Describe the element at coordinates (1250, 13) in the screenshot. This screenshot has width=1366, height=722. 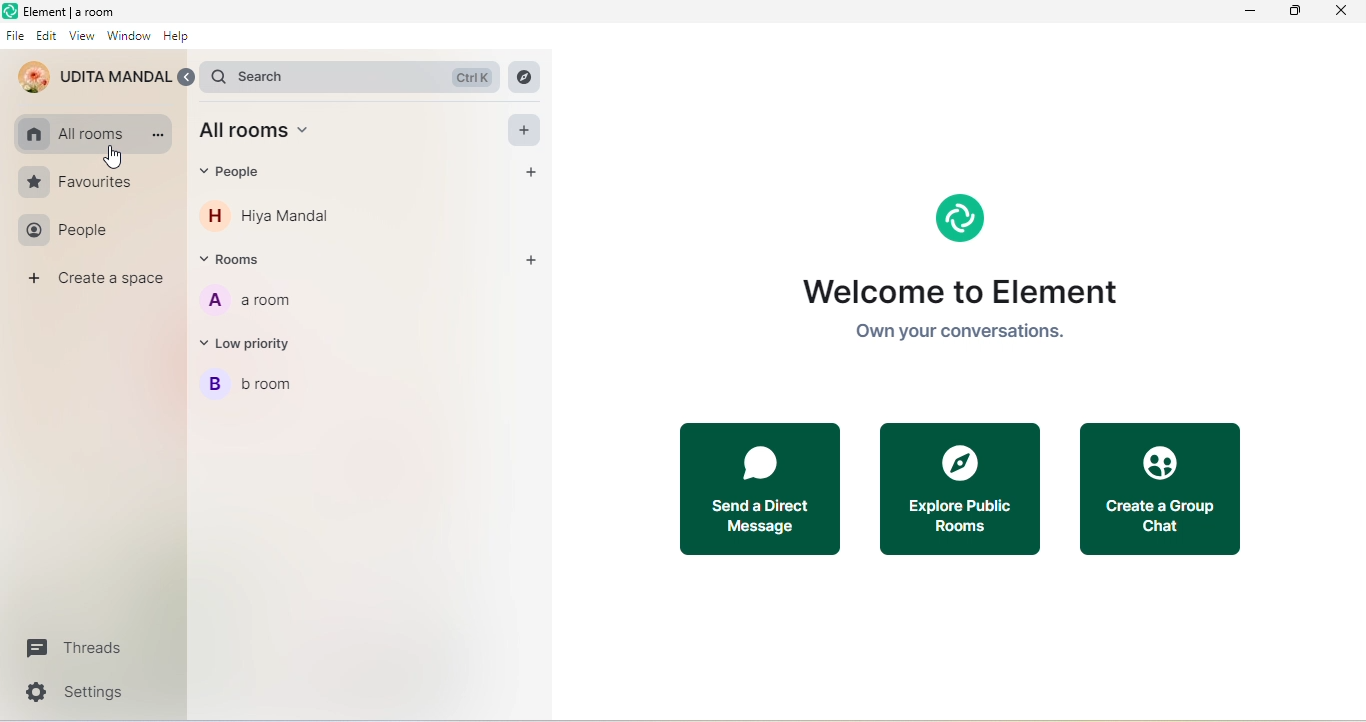
I see `Minimize` at that location.